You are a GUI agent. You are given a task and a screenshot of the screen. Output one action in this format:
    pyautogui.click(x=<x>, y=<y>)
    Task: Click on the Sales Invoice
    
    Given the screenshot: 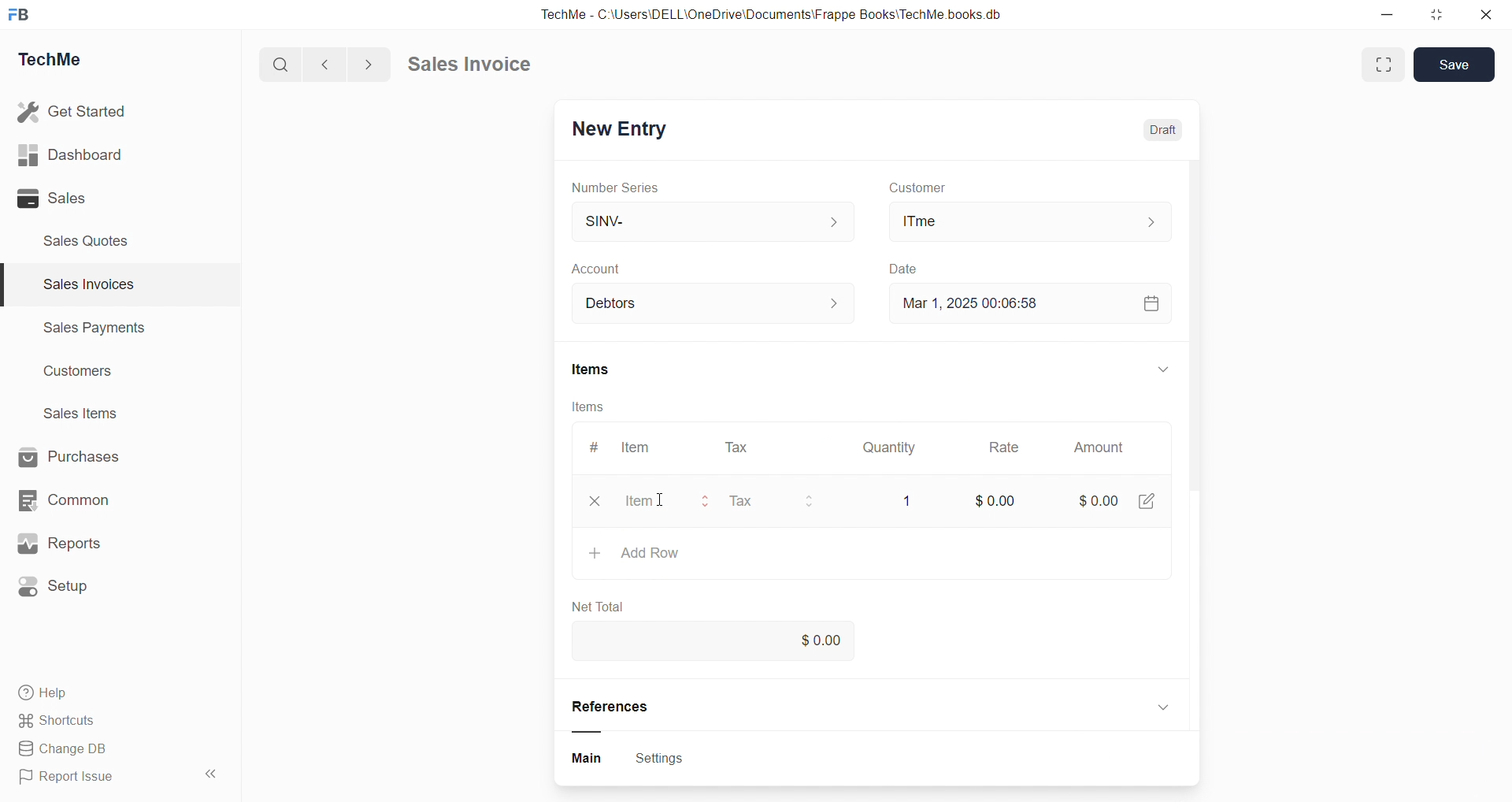 What is the action you would take?
    pyautogui.click(x=476, y=66)
    